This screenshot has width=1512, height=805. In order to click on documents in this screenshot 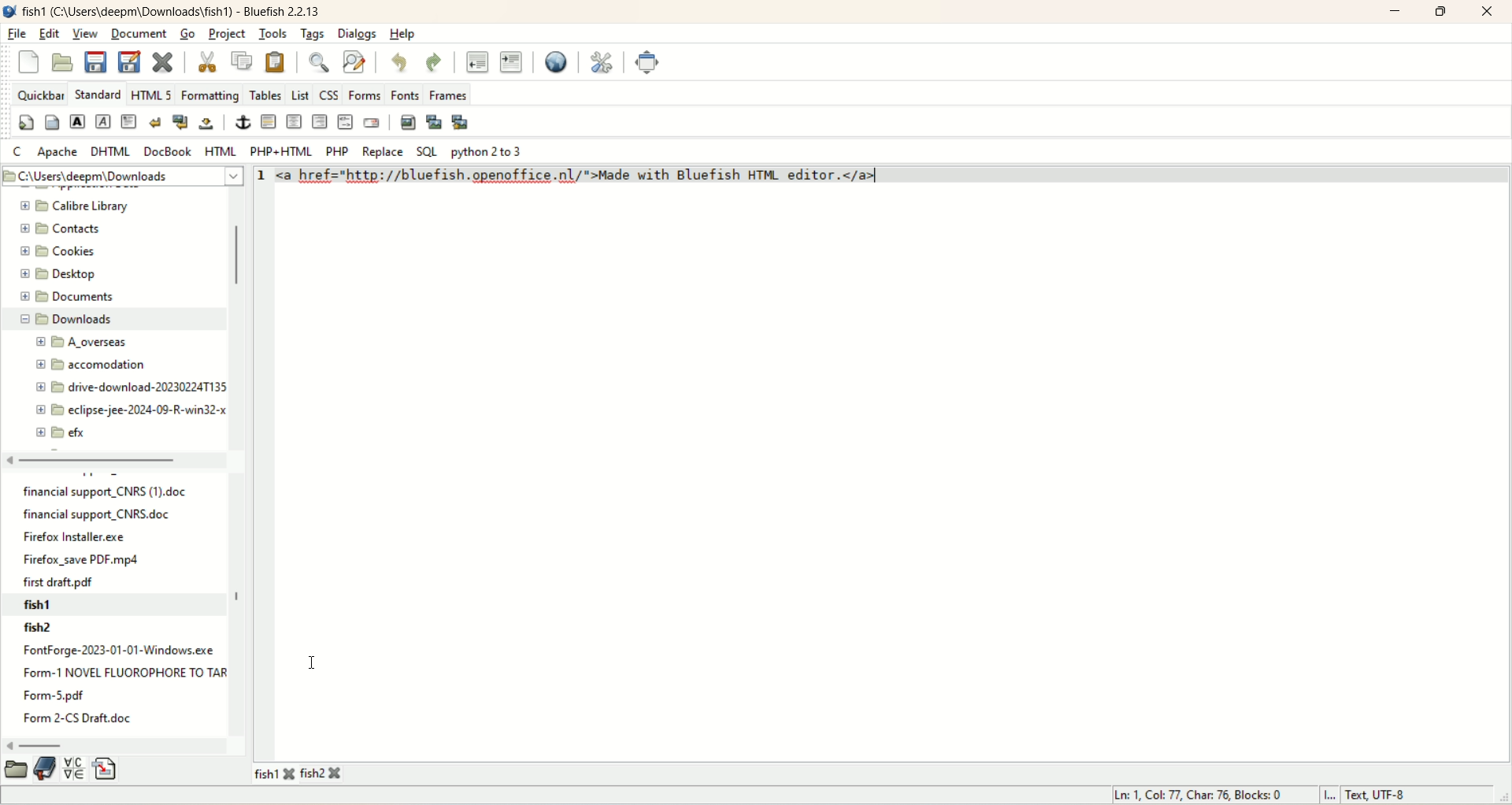, I will do `click(65, 296)`.